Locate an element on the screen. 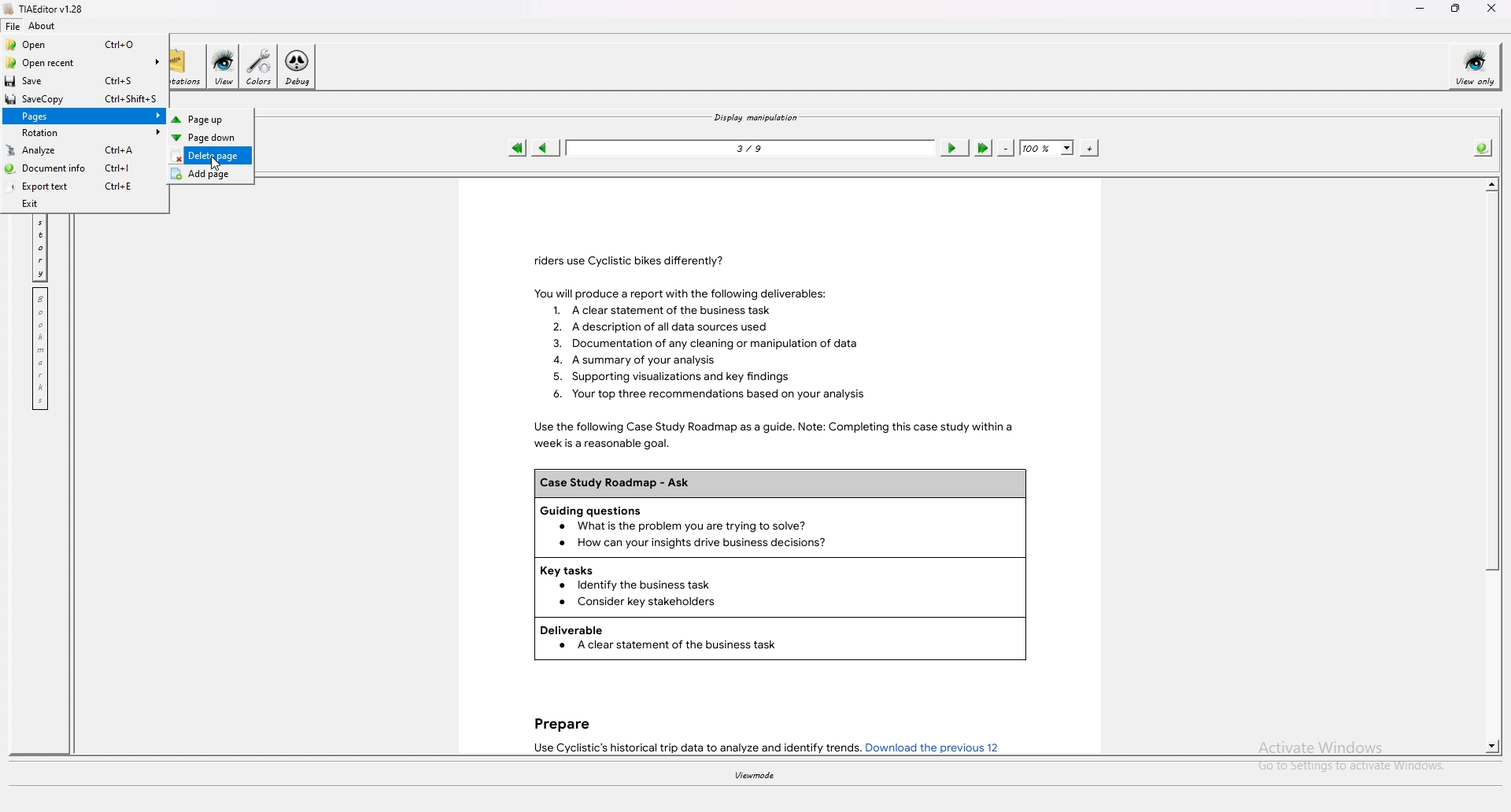  Pages  is located at coordinates (87, 116).